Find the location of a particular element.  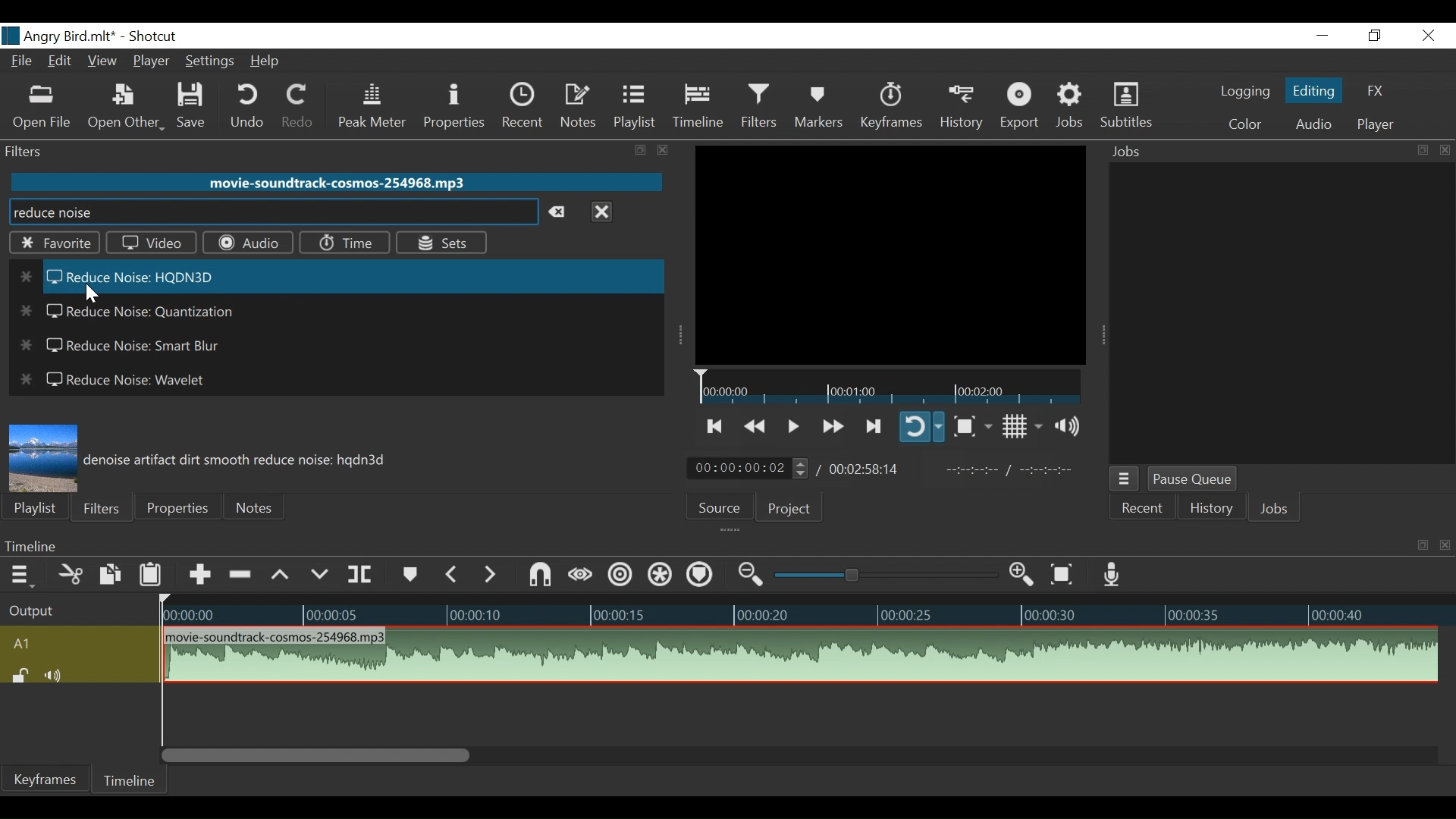

close is located at coordinates (1442, 149).